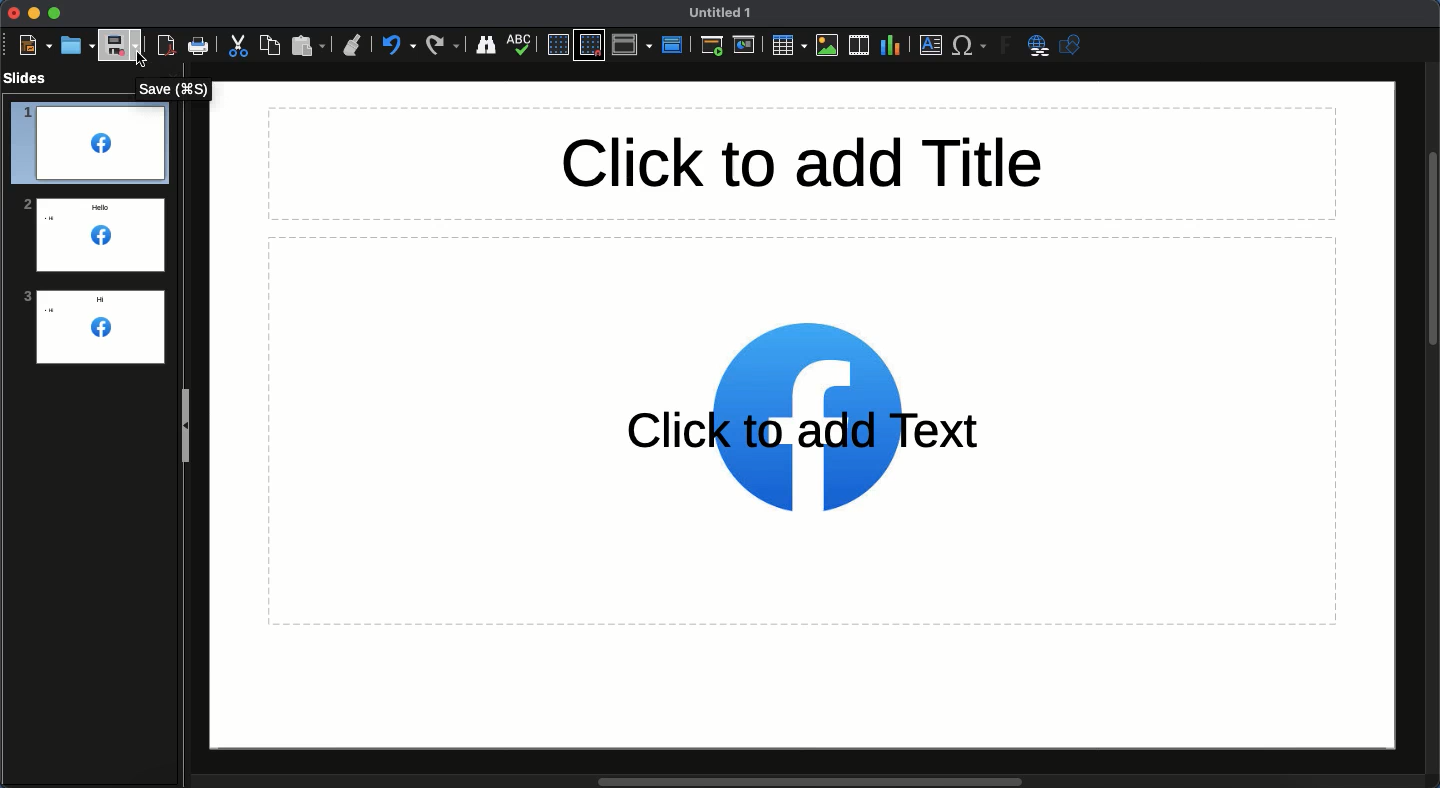 This screenshot has height=788, width=1440. Describe the element at coordinates (888, 47) in the screenshot. I see `Chart` at that location.